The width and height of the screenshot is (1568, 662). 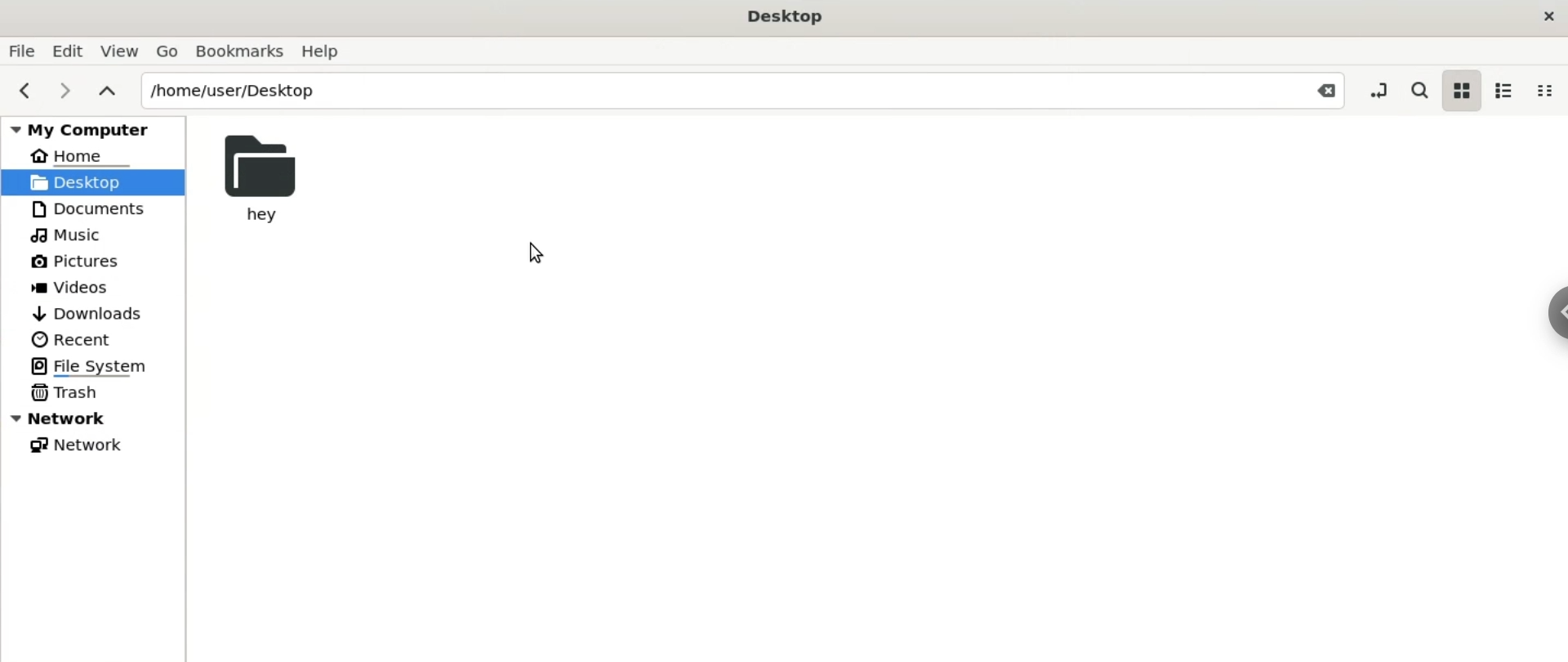 I want to click on trash, so click(x=65, y=393).